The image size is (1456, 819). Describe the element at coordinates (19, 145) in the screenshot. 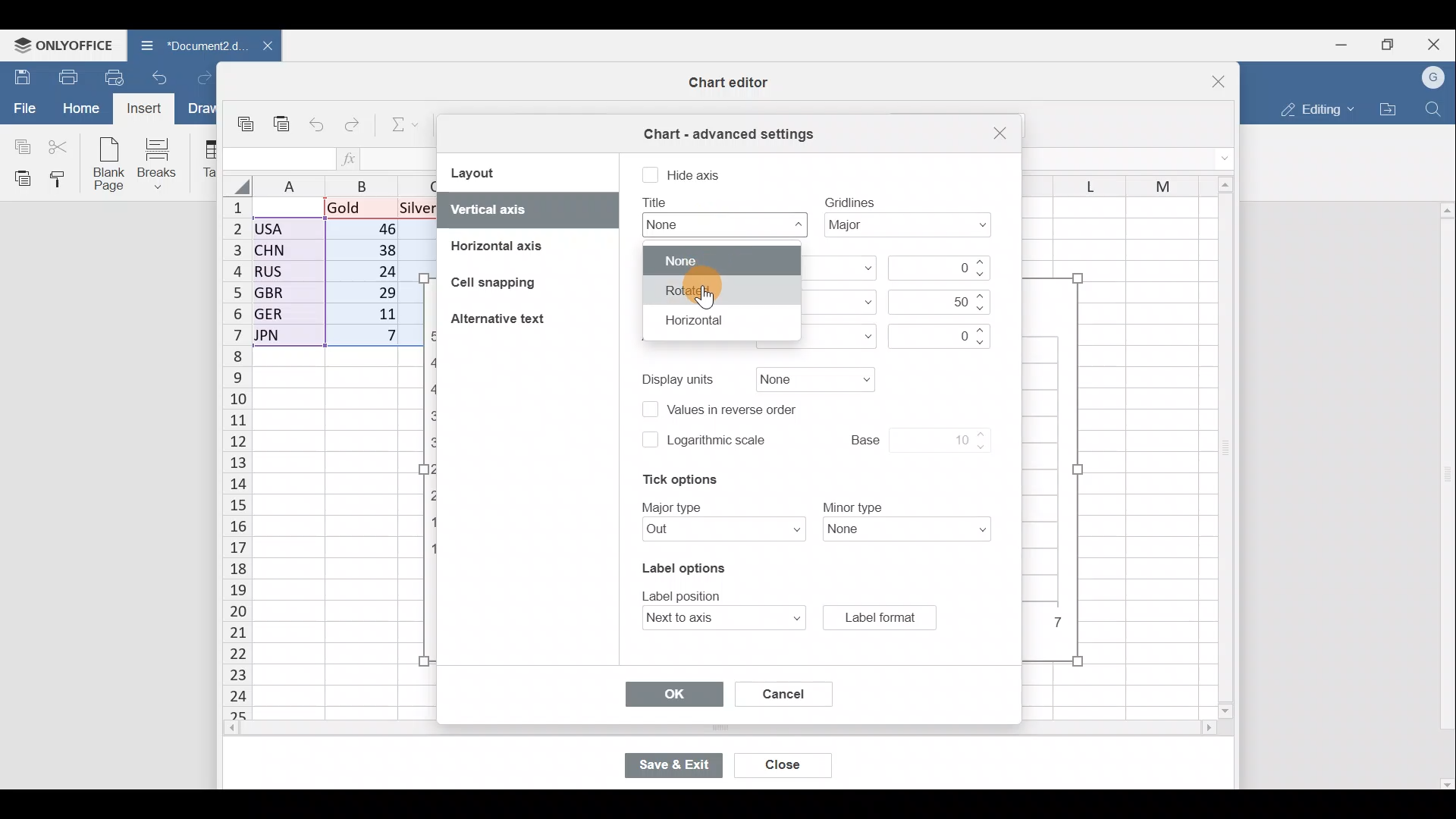

I see `Copy` at that location.